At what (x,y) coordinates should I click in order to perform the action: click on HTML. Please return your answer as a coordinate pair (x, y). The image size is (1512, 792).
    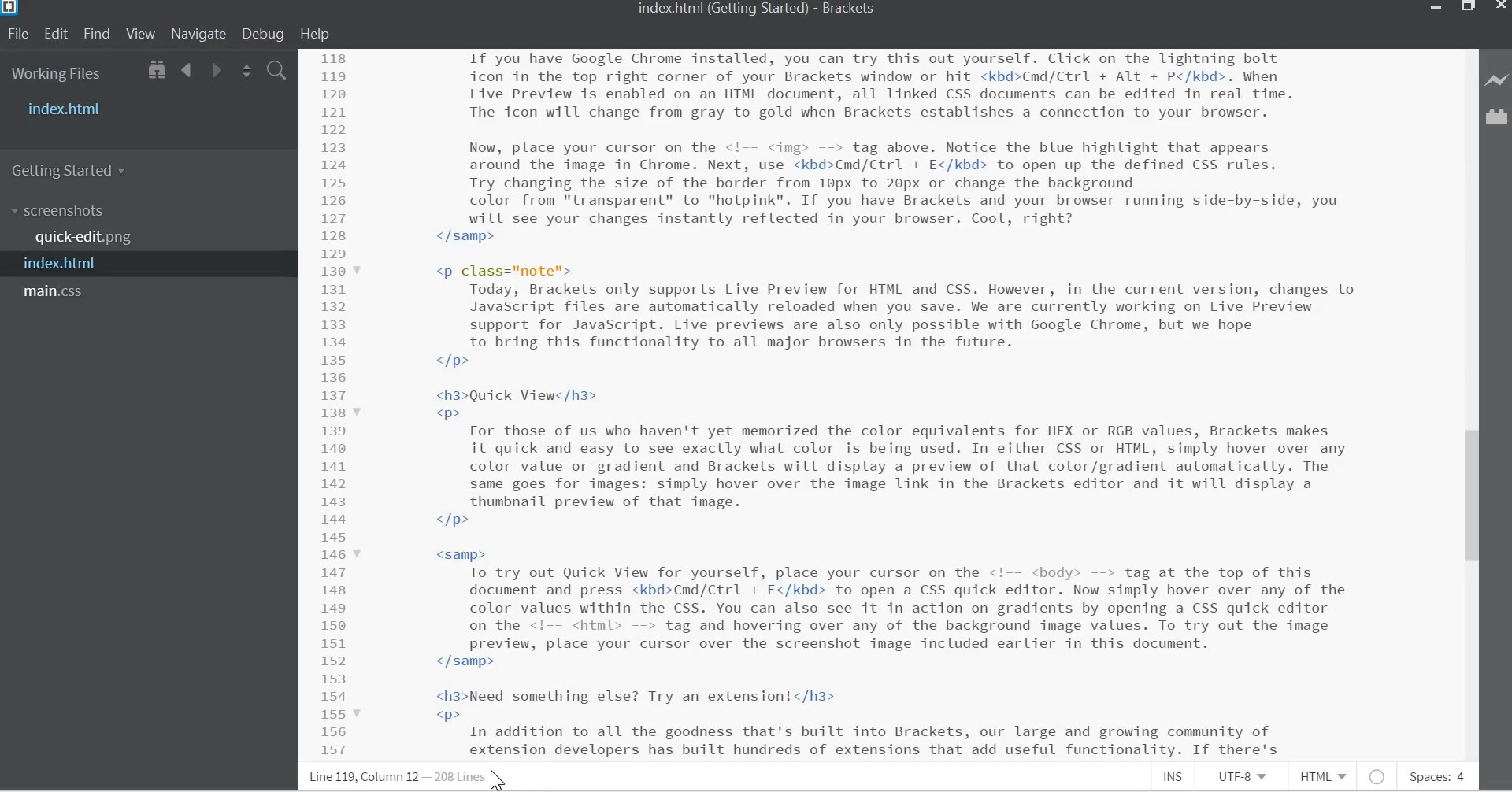
    Looking at the image, I should click on (1324, 776).